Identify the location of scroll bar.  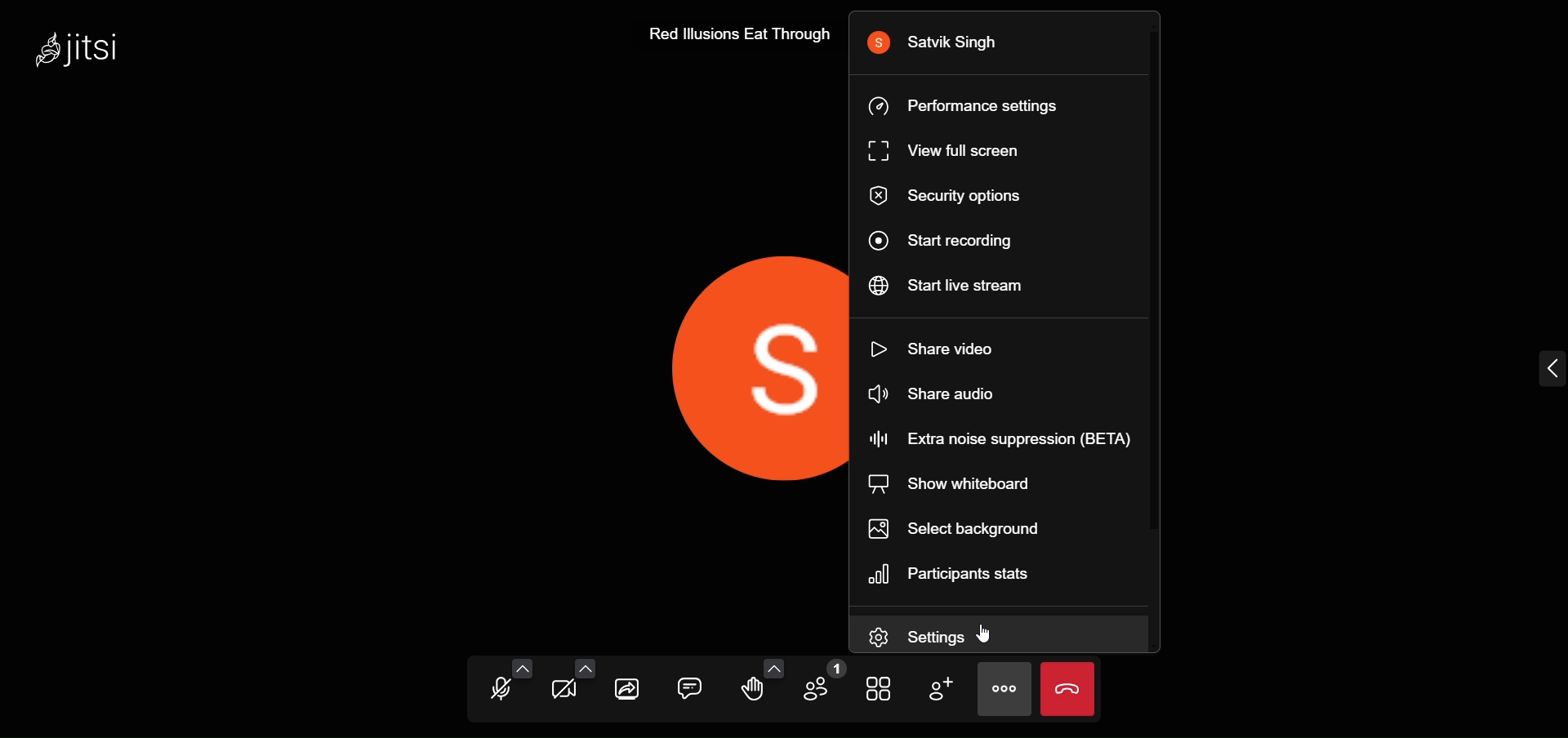
(1160, 284).